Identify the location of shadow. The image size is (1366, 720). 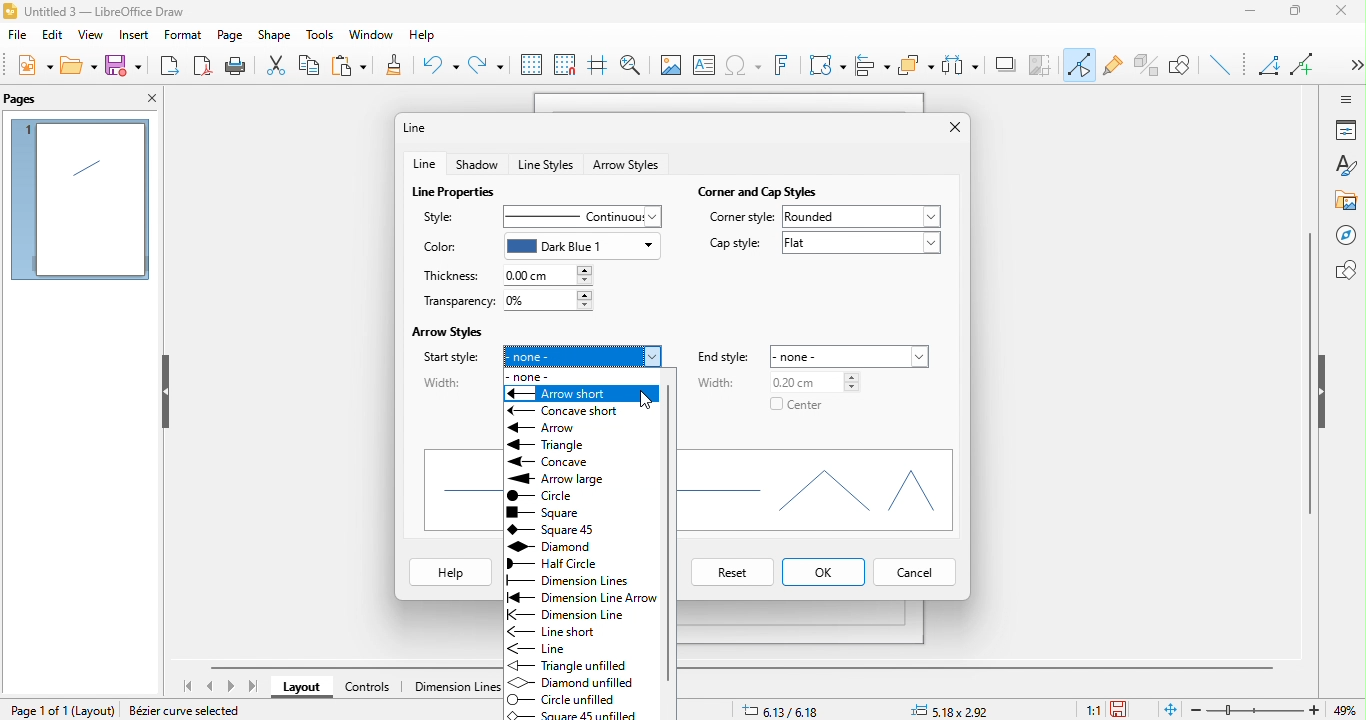
(479, 163).